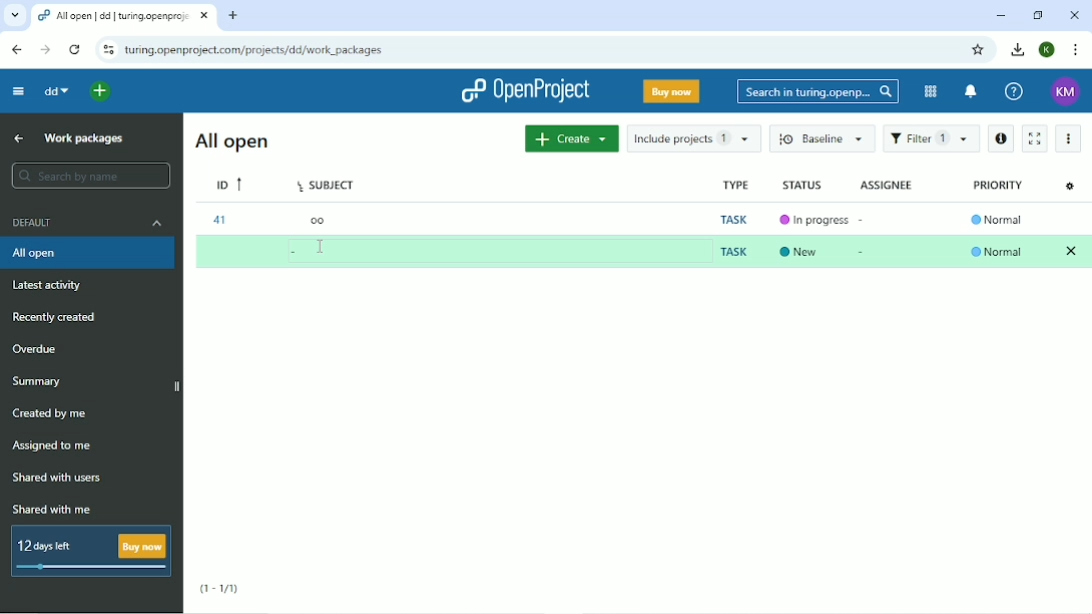 The height and width of the screenshot is (614, 1092). I want to click on Buy now, so click(670, 93).